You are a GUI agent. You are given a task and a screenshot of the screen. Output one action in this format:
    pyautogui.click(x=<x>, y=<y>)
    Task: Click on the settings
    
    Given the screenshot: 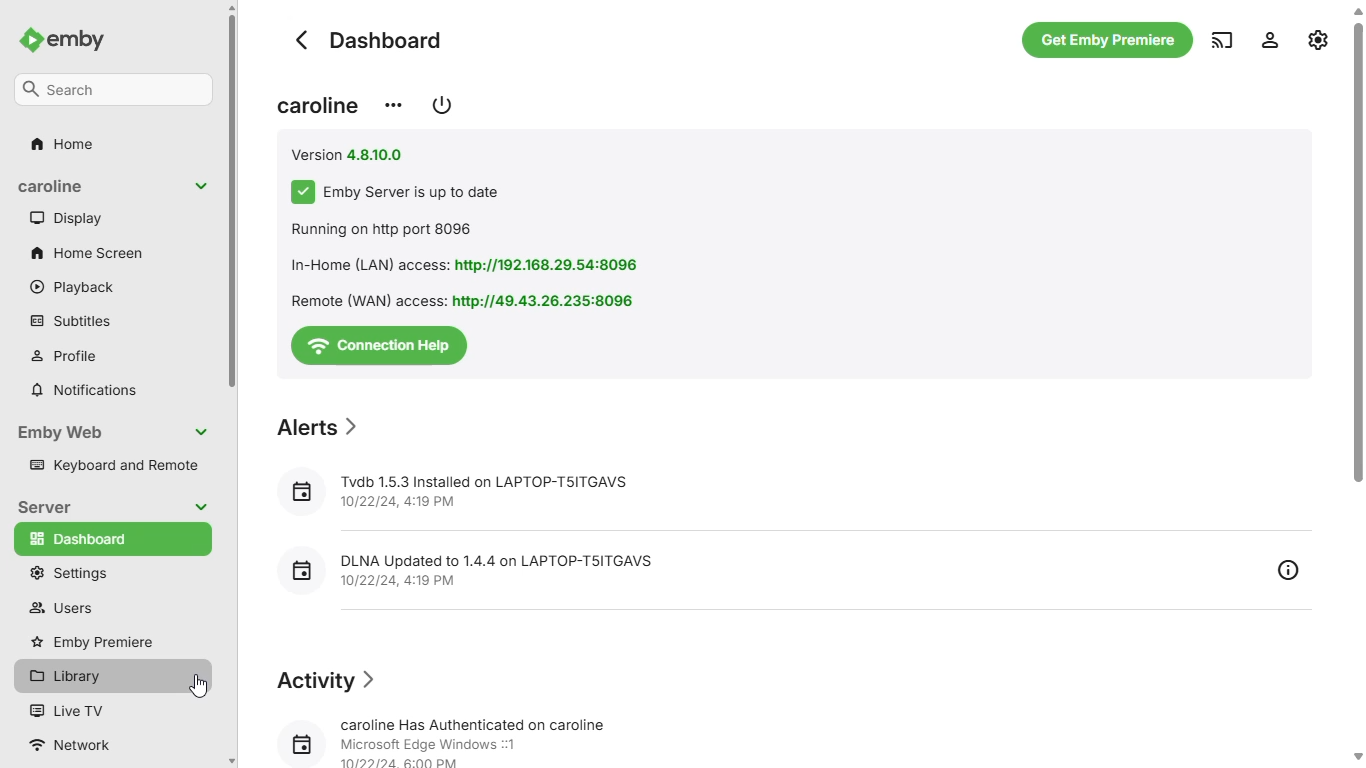 What is the action you would take?
    pyautogui.click(x=66, y=574)
    